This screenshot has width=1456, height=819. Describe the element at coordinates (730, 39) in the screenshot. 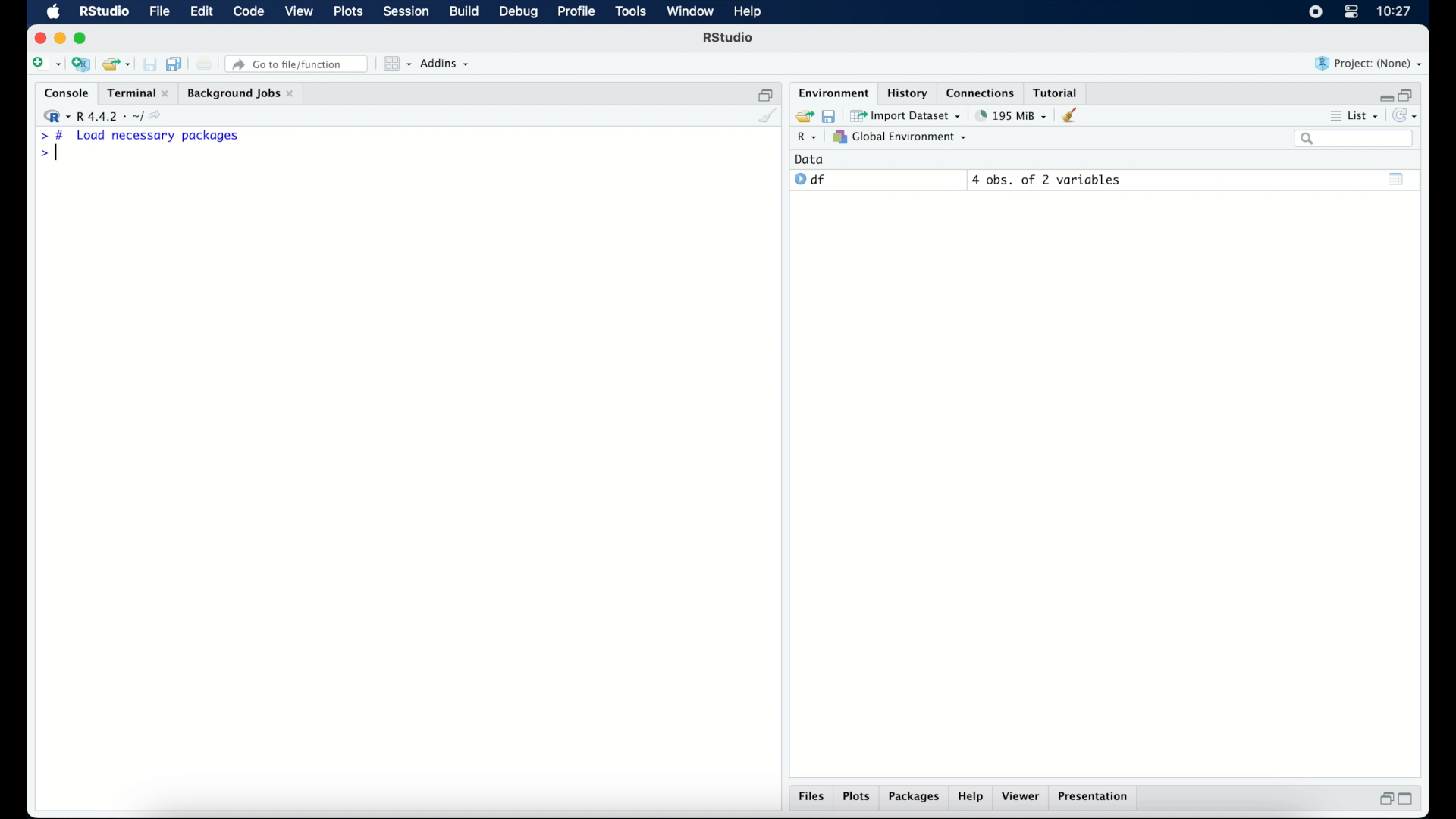

I see `R Studio` at that location.